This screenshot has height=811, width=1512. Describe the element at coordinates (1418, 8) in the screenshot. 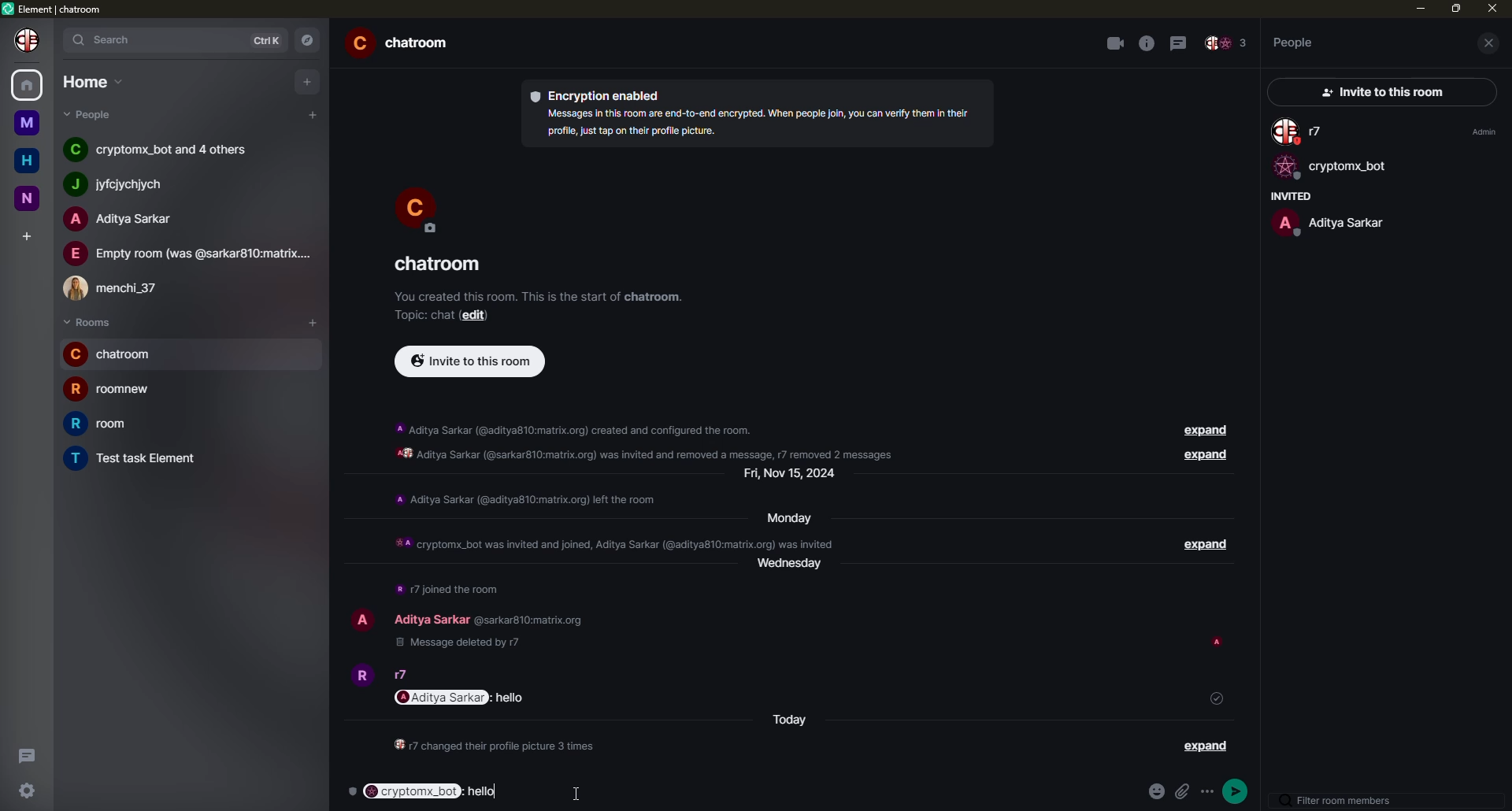

I see `min` at that location.